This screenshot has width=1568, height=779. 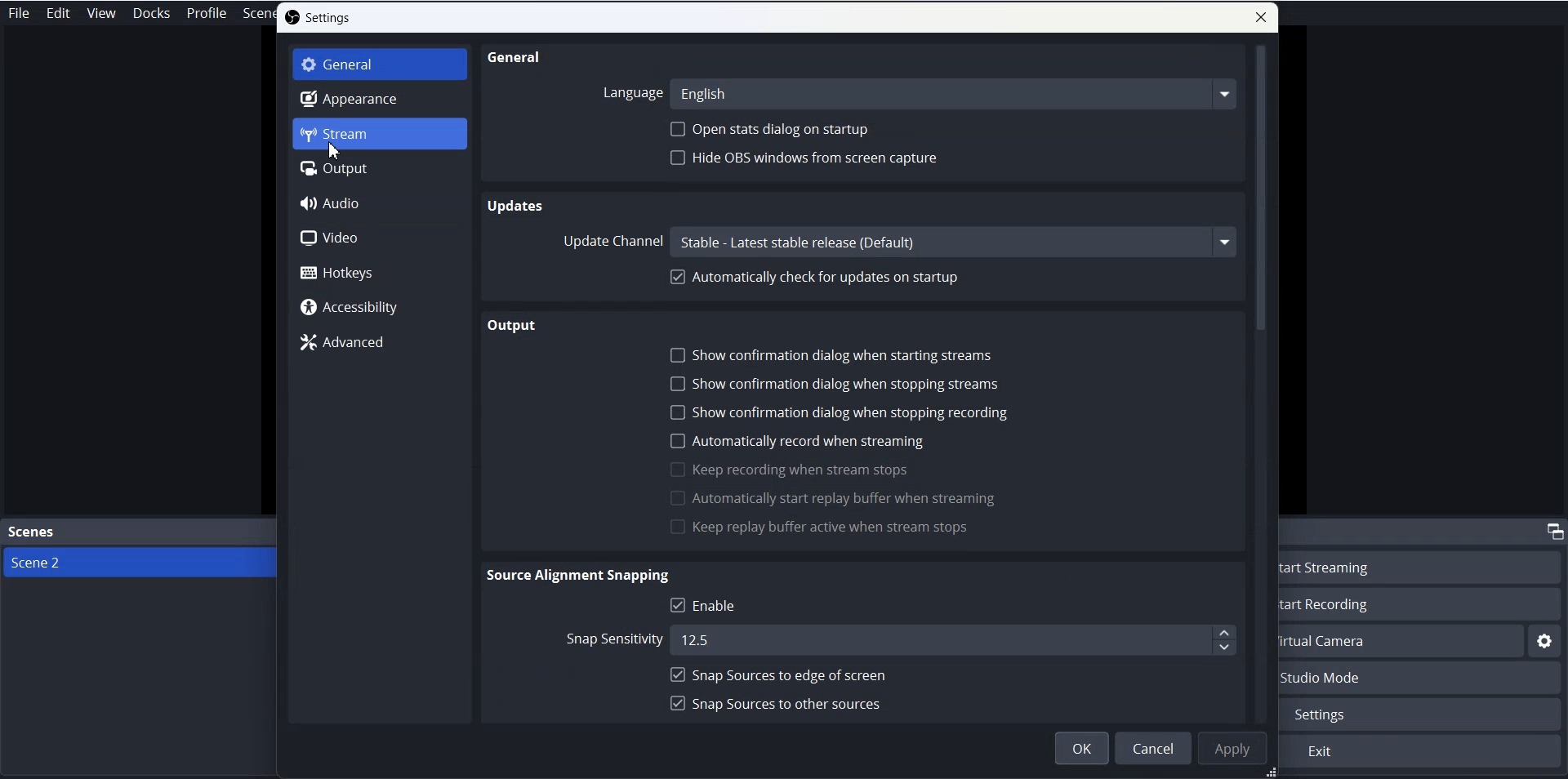 What do you see at coordinates (1424, 603) in the screenshot?
I see `Start Recording` at bounding box center [1424, 603].